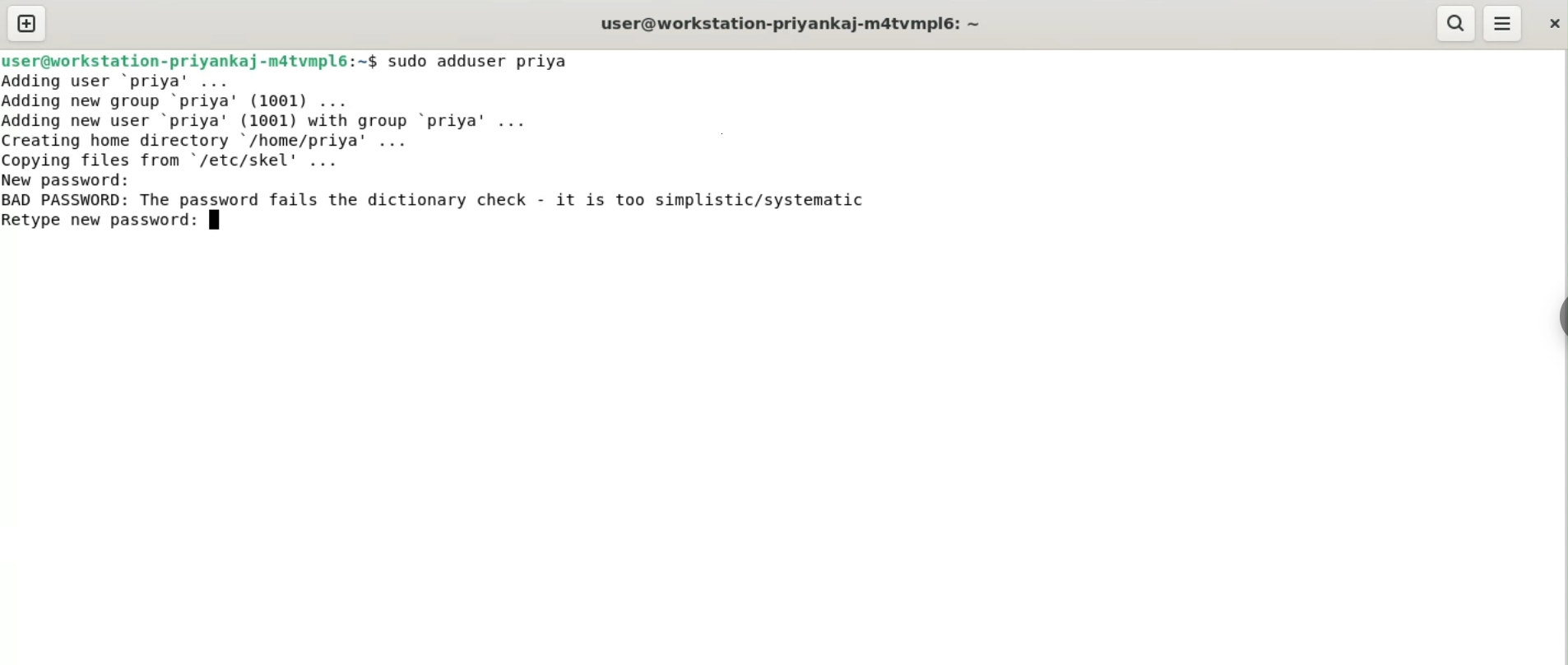  What do you see at coordinates (480, 61) in the screenshot?
I see `sudo adduser priya` at bounding box center [480, 61].